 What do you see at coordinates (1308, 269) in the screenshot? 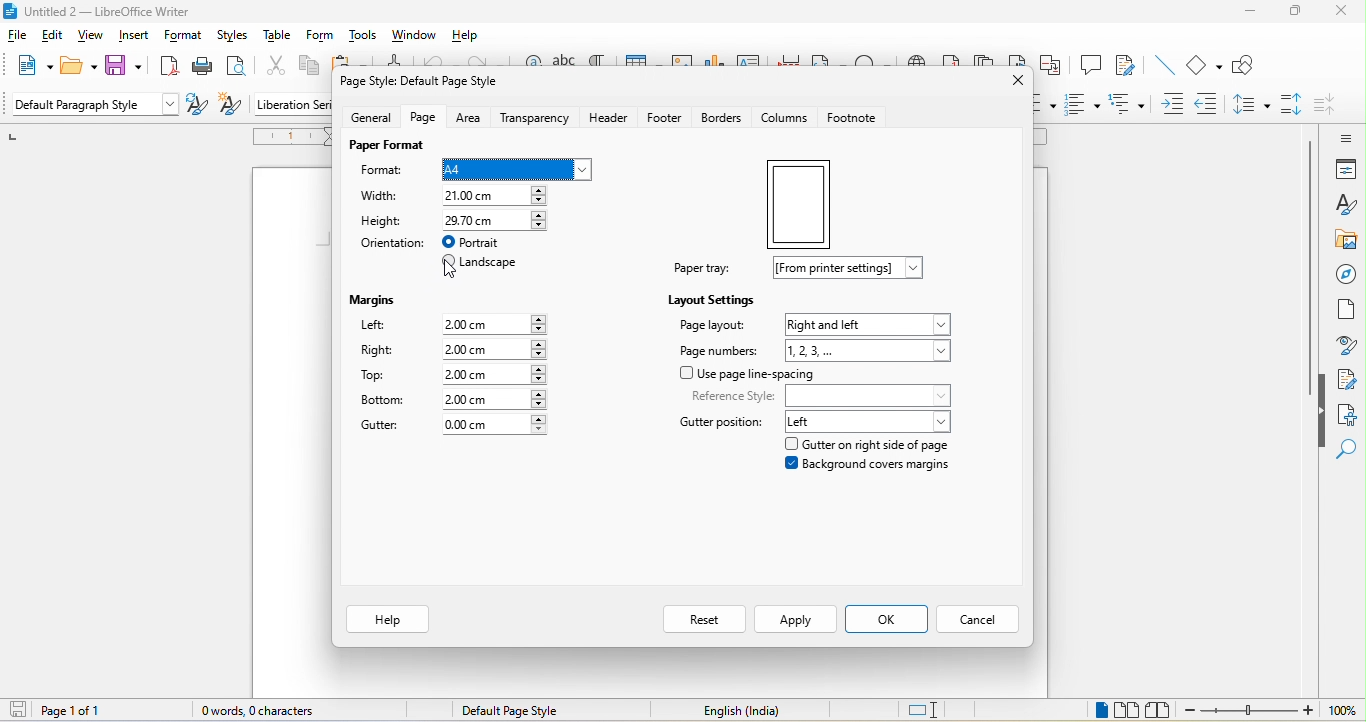
I see `vertical scroll bar` at bounding box center [1308, 269].